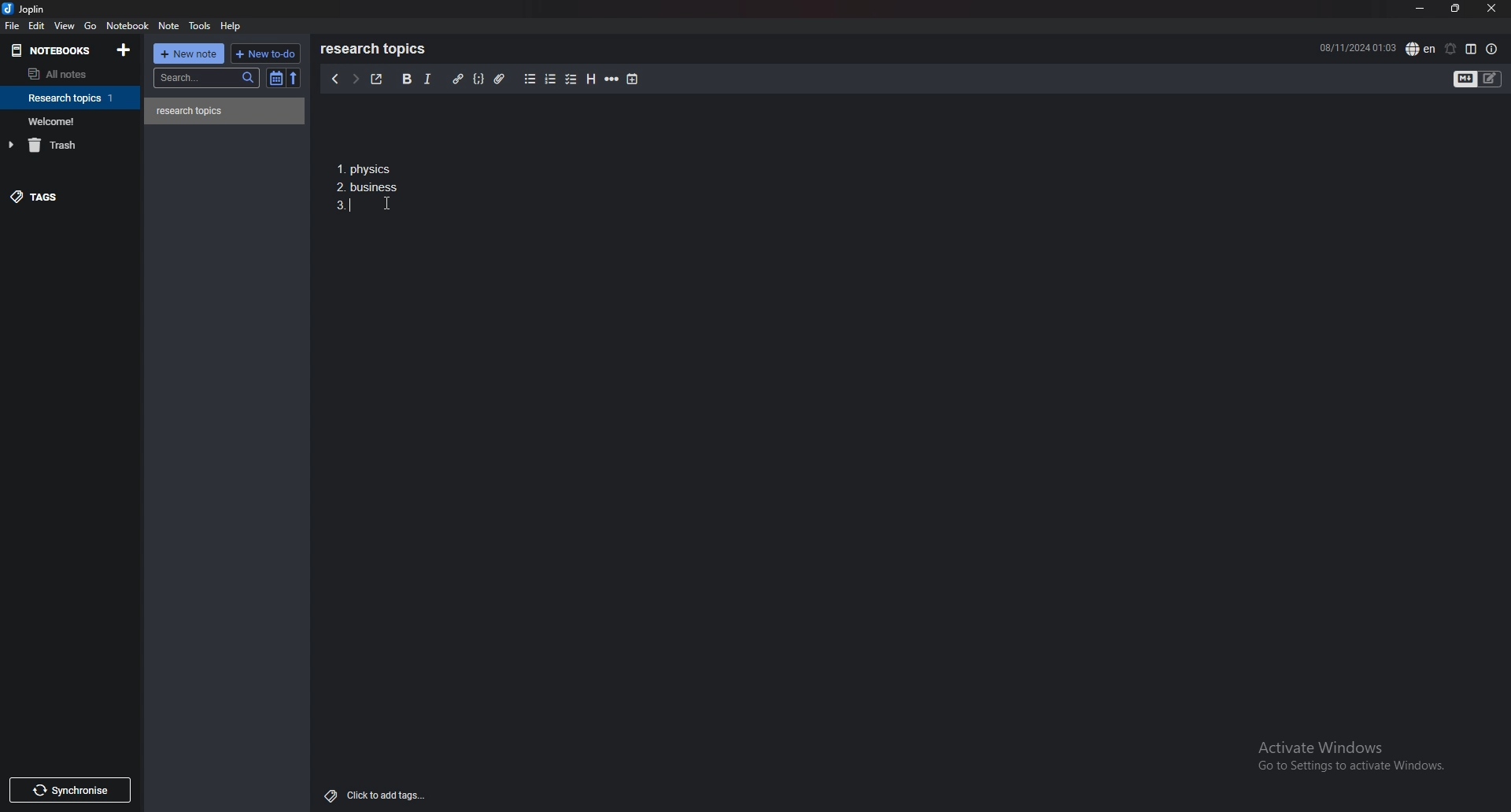  Describe the element at coordinates (335, 80) in the screenshot. I see `previous` at that location.